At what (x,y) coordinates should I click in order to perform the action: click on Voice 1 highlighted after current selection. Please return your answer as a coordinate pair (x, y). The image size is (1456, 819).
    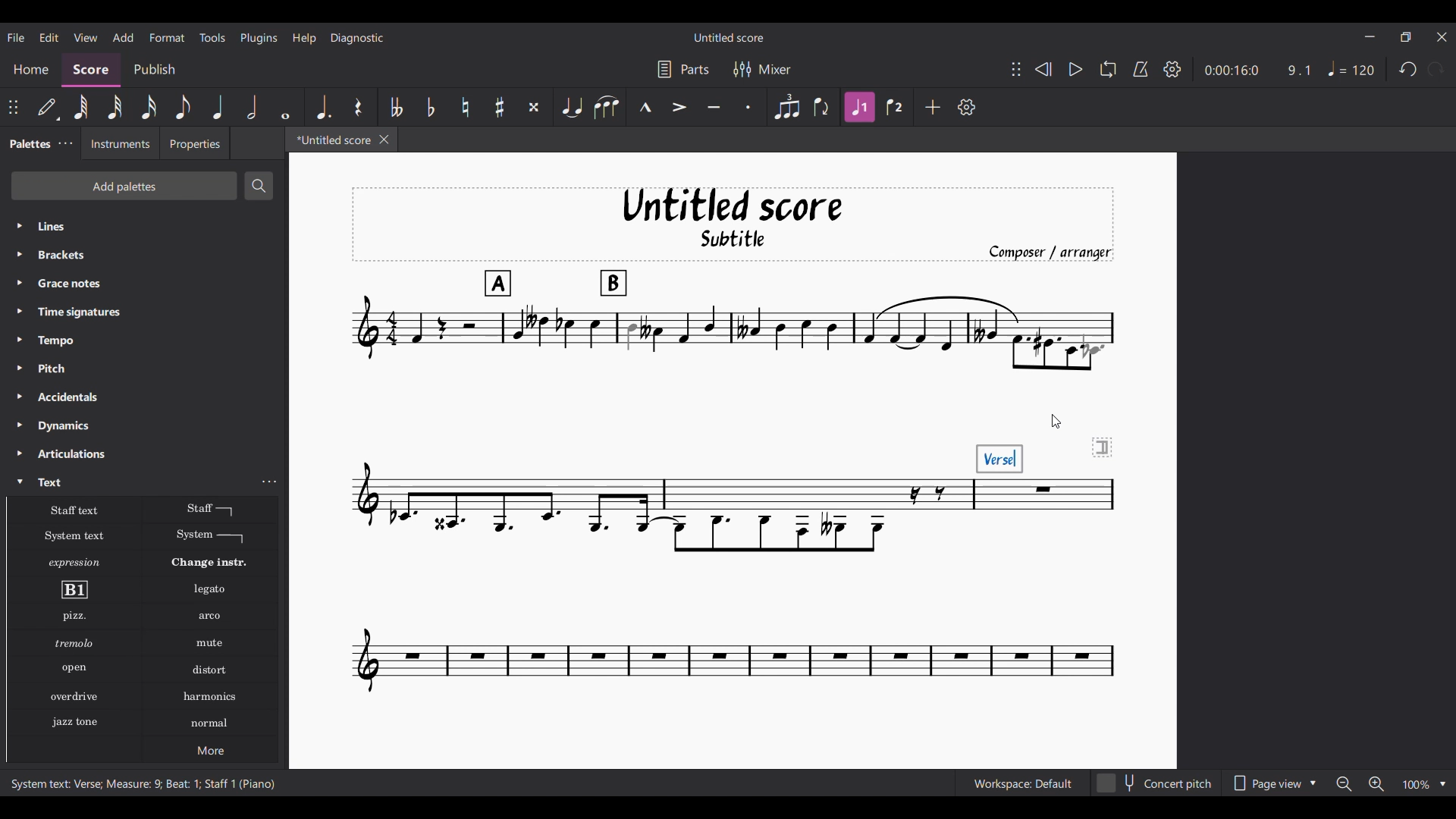
    Looking at the image, I should click on (860, 107).